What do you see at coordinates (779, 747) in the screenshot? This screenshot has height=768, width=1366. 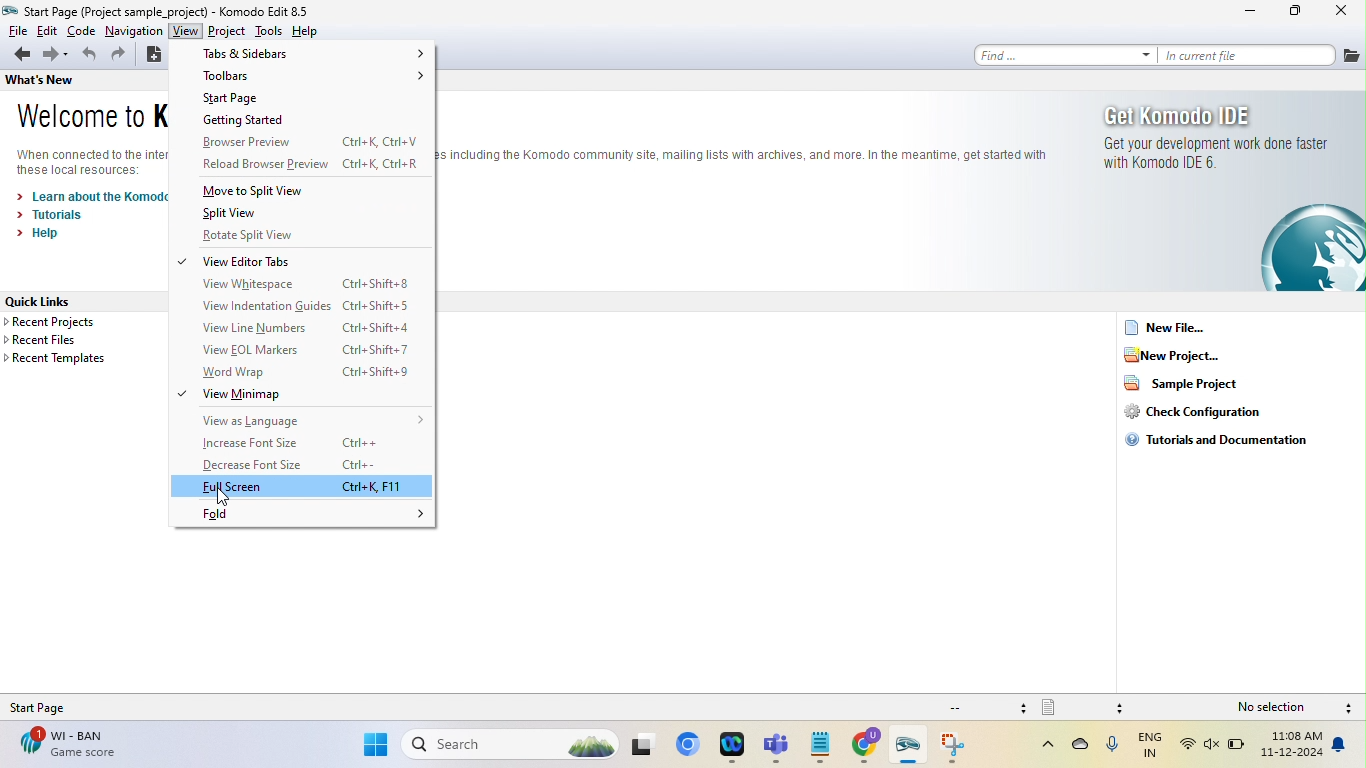 I see `apps on taskbar` at bounding box center [779, 747].